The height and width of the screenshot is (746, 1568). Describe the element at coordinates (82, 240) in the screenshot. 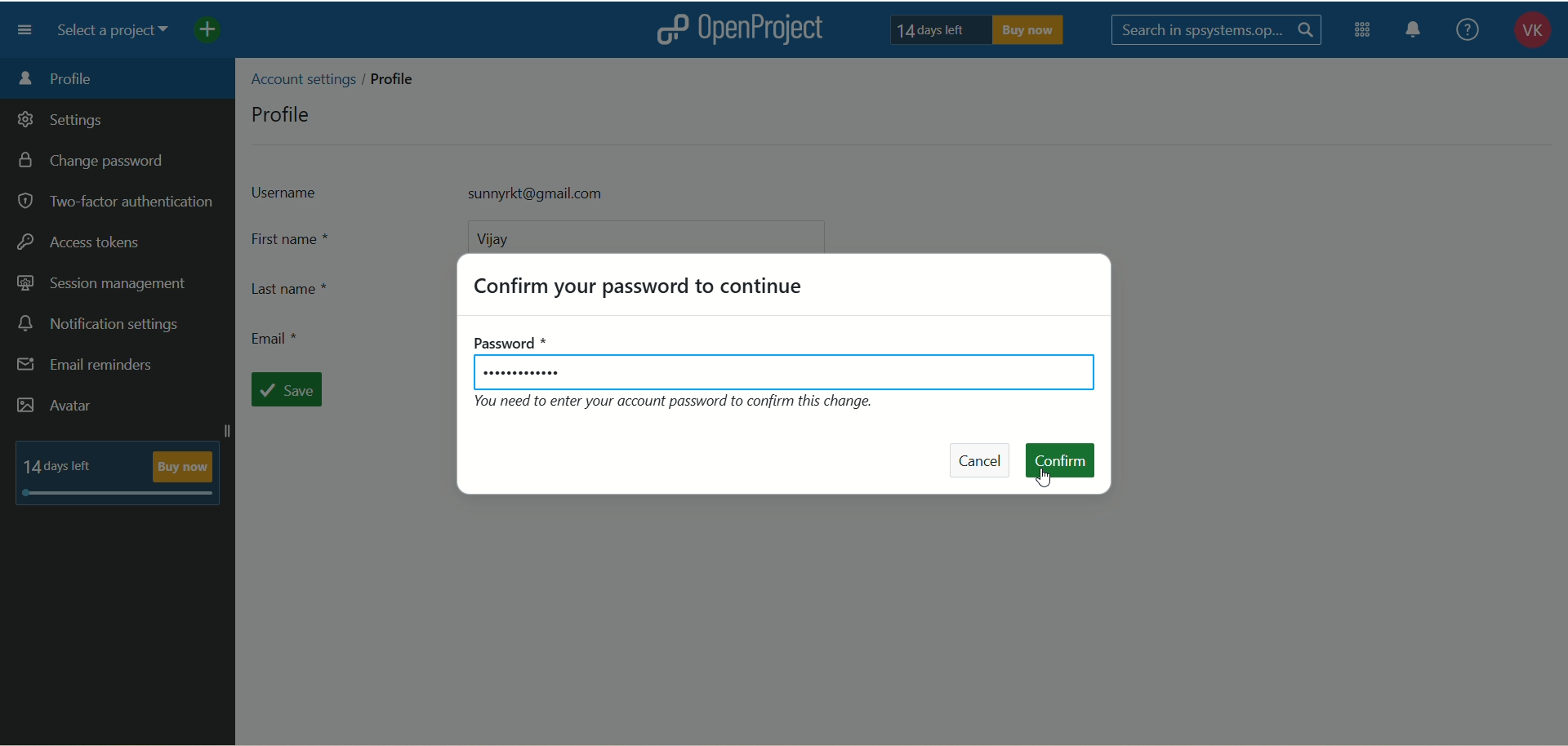

I see `access tokens` at that location.